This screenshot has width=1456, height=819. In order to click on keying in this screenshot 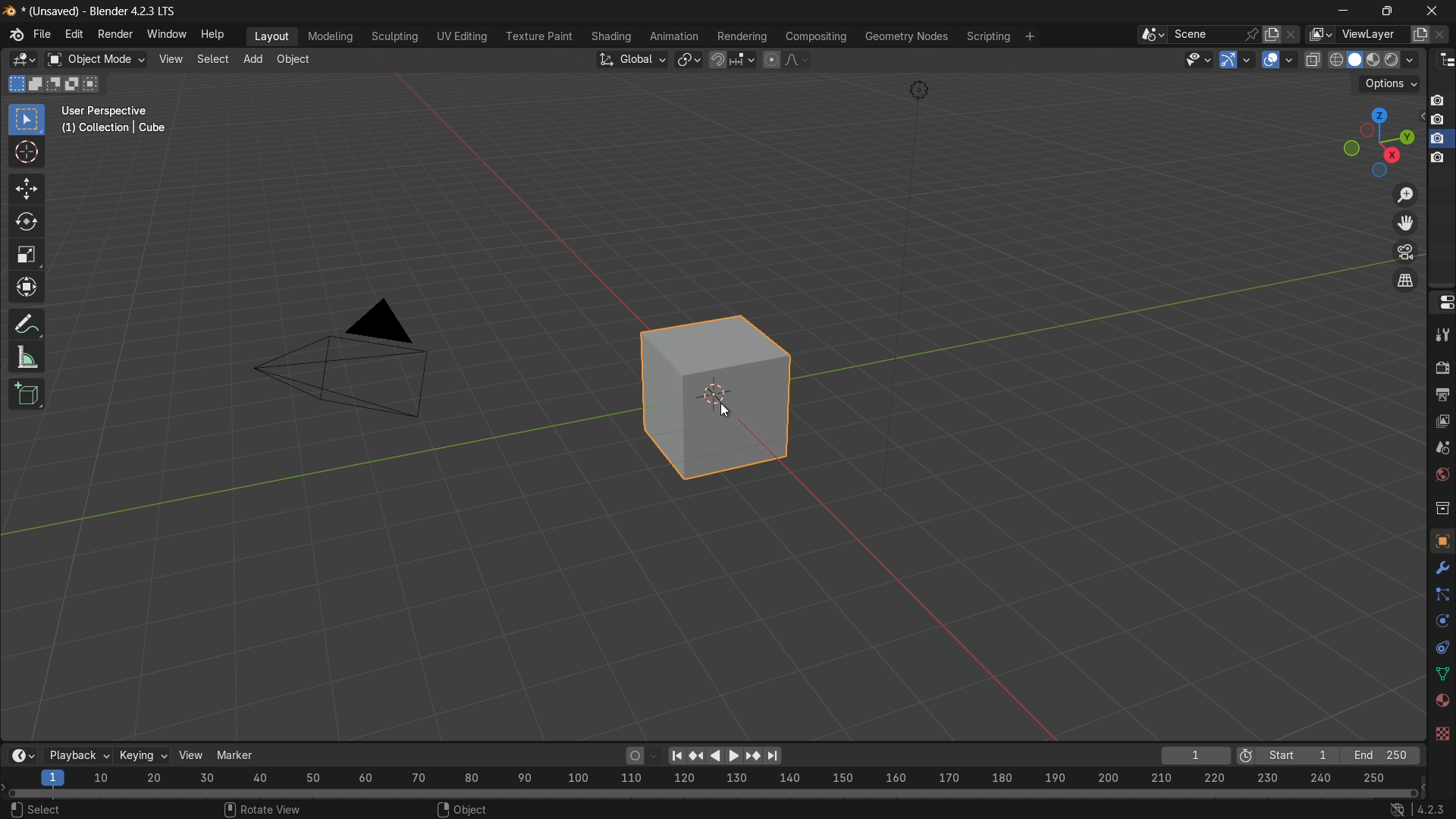, I will do `click(143, 754)`.